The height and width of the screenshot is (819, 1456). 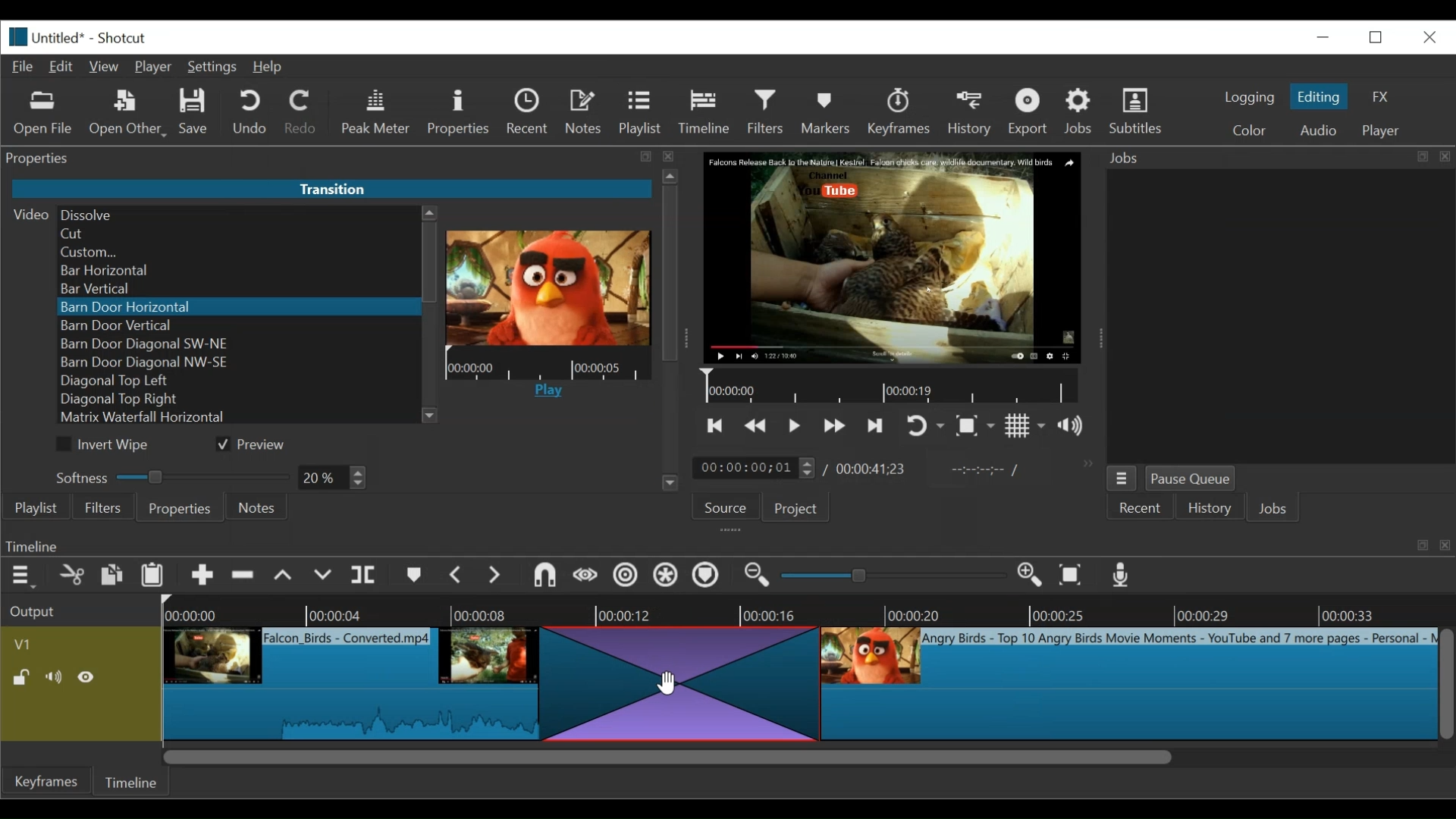 What do you see at coordinates (548, 365) in the screenshot?
I see `Timeline` at bounding box center [548, 365].